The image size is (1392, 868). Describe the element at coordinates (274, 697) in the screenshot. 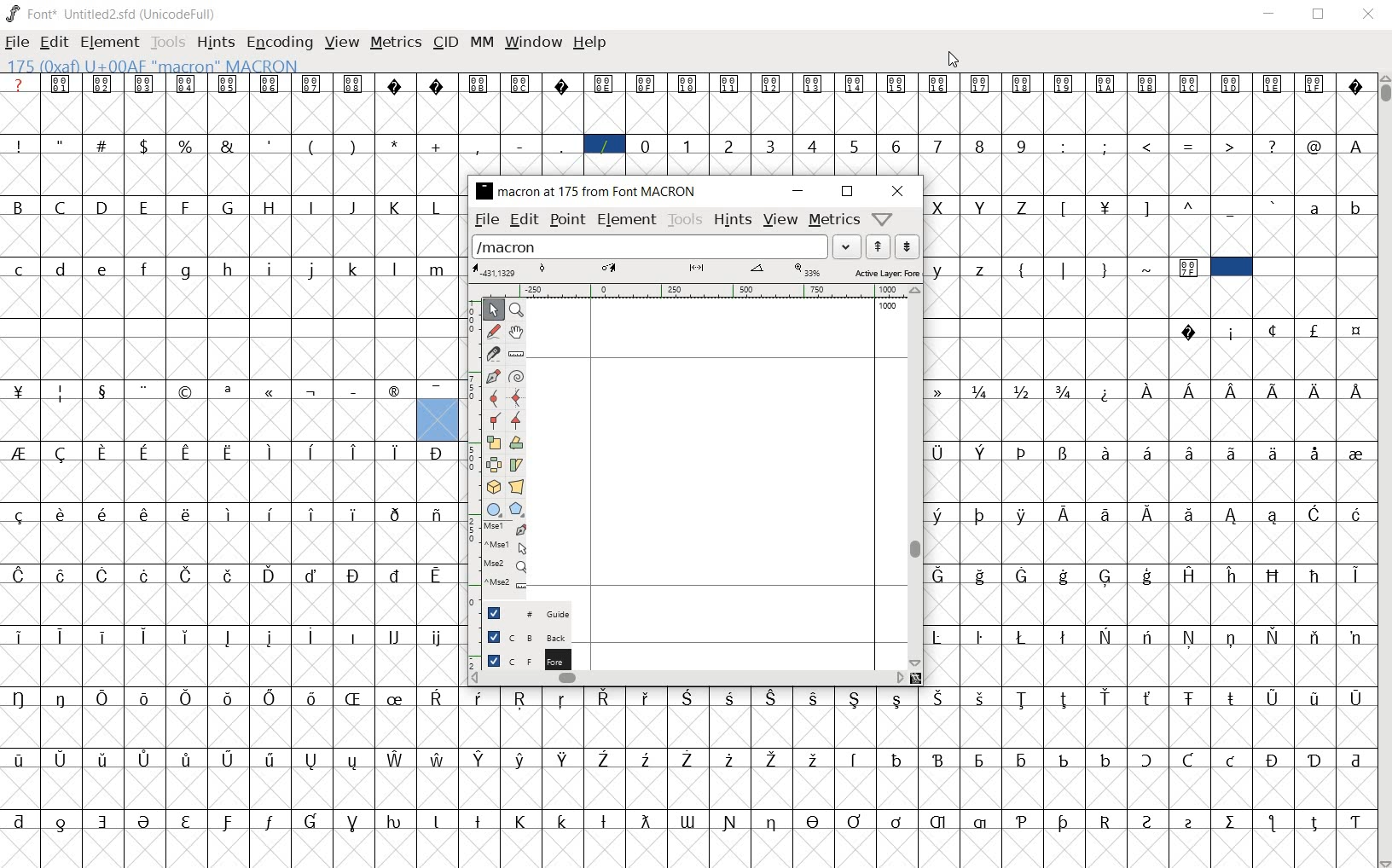

I see `Symbol` at that location.